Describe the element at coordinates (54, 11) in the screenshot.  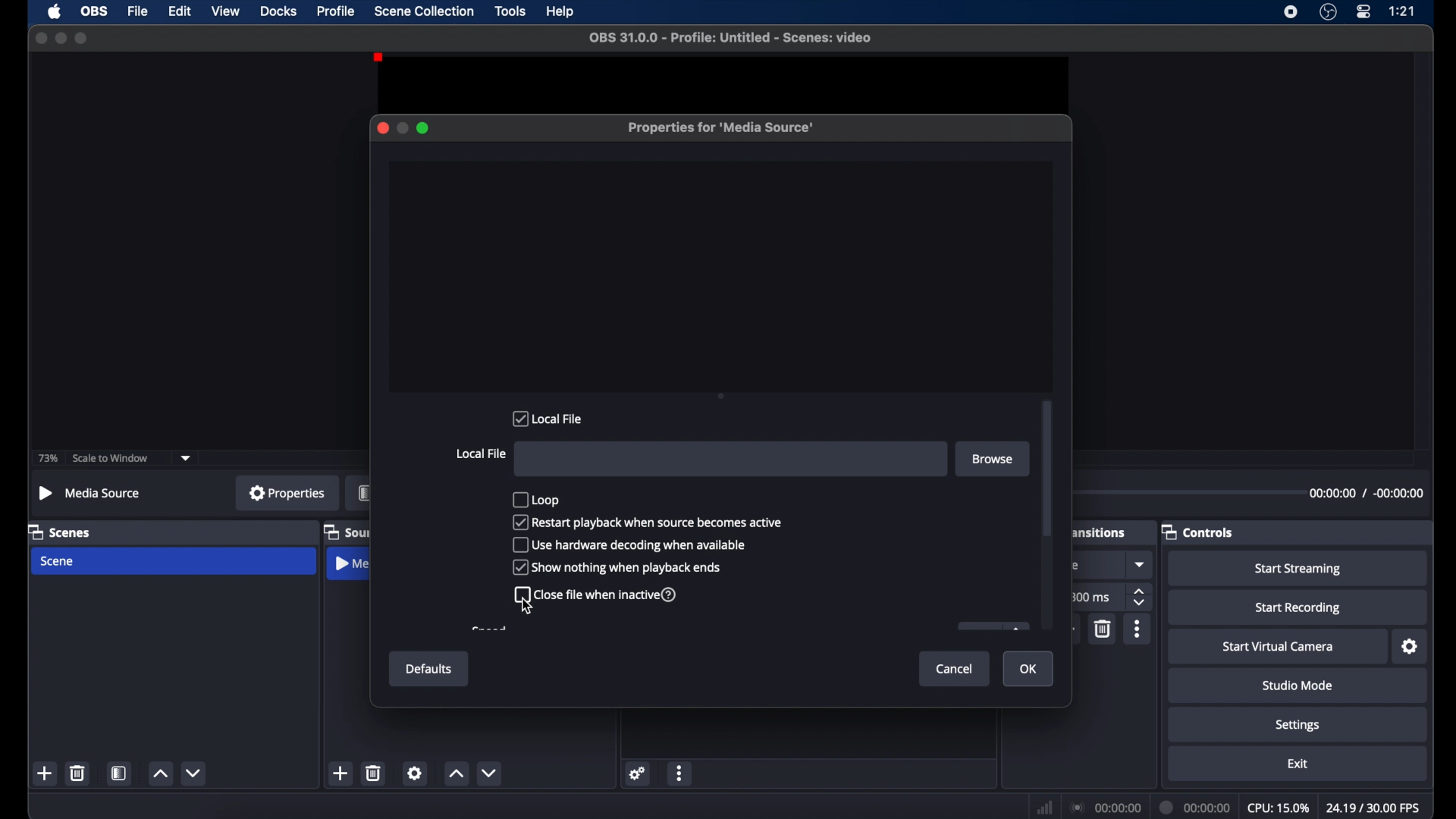
I see `apple icon` at that location.